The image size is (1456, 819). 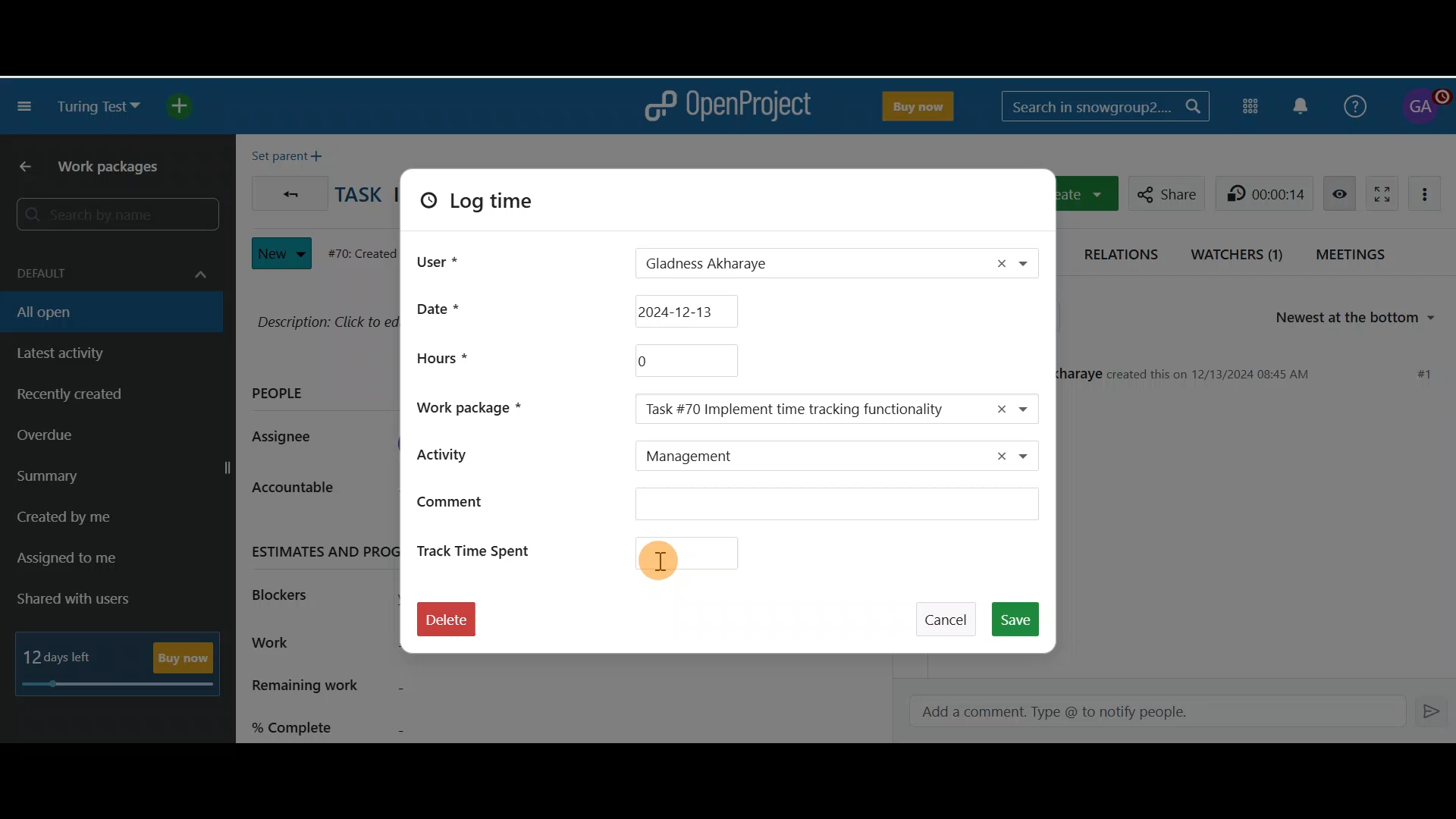 What do you see at coordinates (727, 507) in the screenshot?
I see `Comment` at bounding box center [727, 507].